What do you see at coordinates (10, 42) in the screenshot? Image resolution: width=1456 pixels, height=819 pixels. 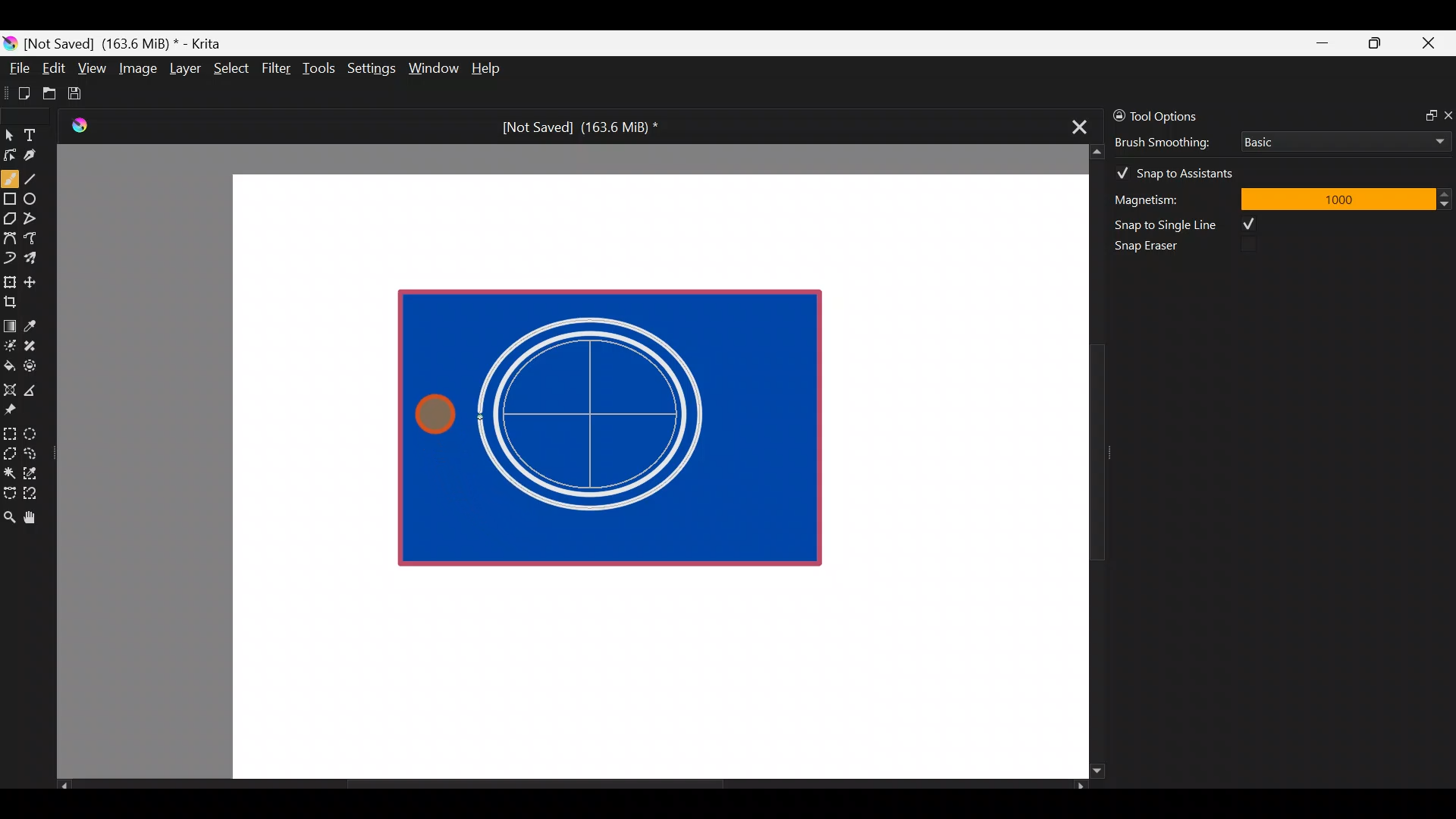 I see `Krita logo` at bounding box center [10, 42].